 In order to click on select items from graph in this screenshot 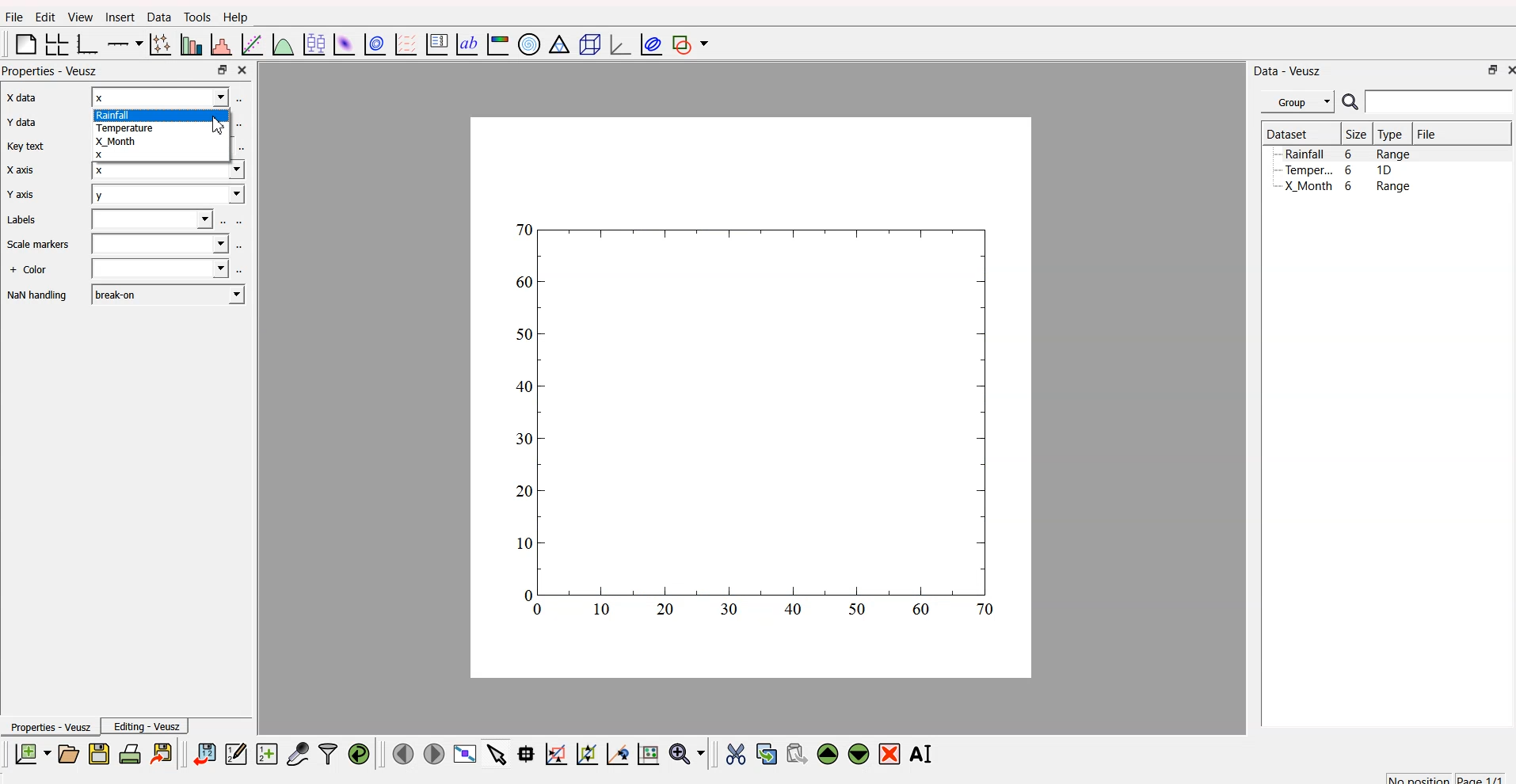, I will do `click(495, 755)`.